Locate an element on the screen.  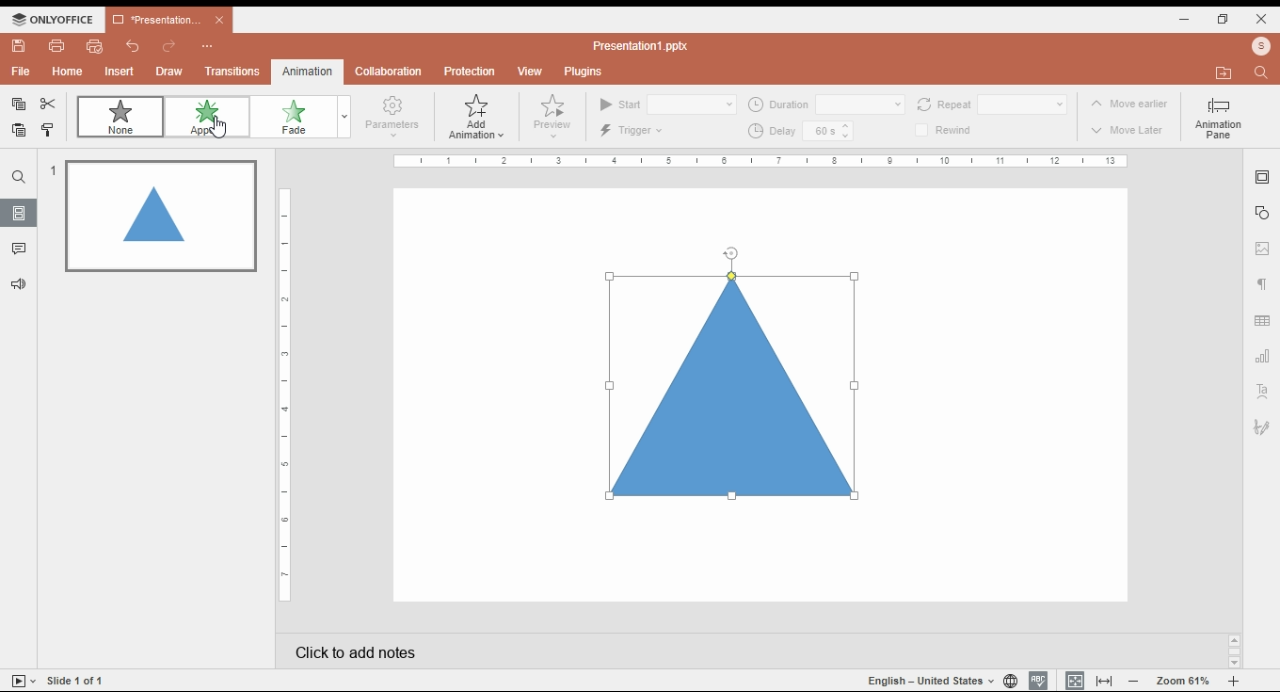
language is located at coordinates (933, 679).